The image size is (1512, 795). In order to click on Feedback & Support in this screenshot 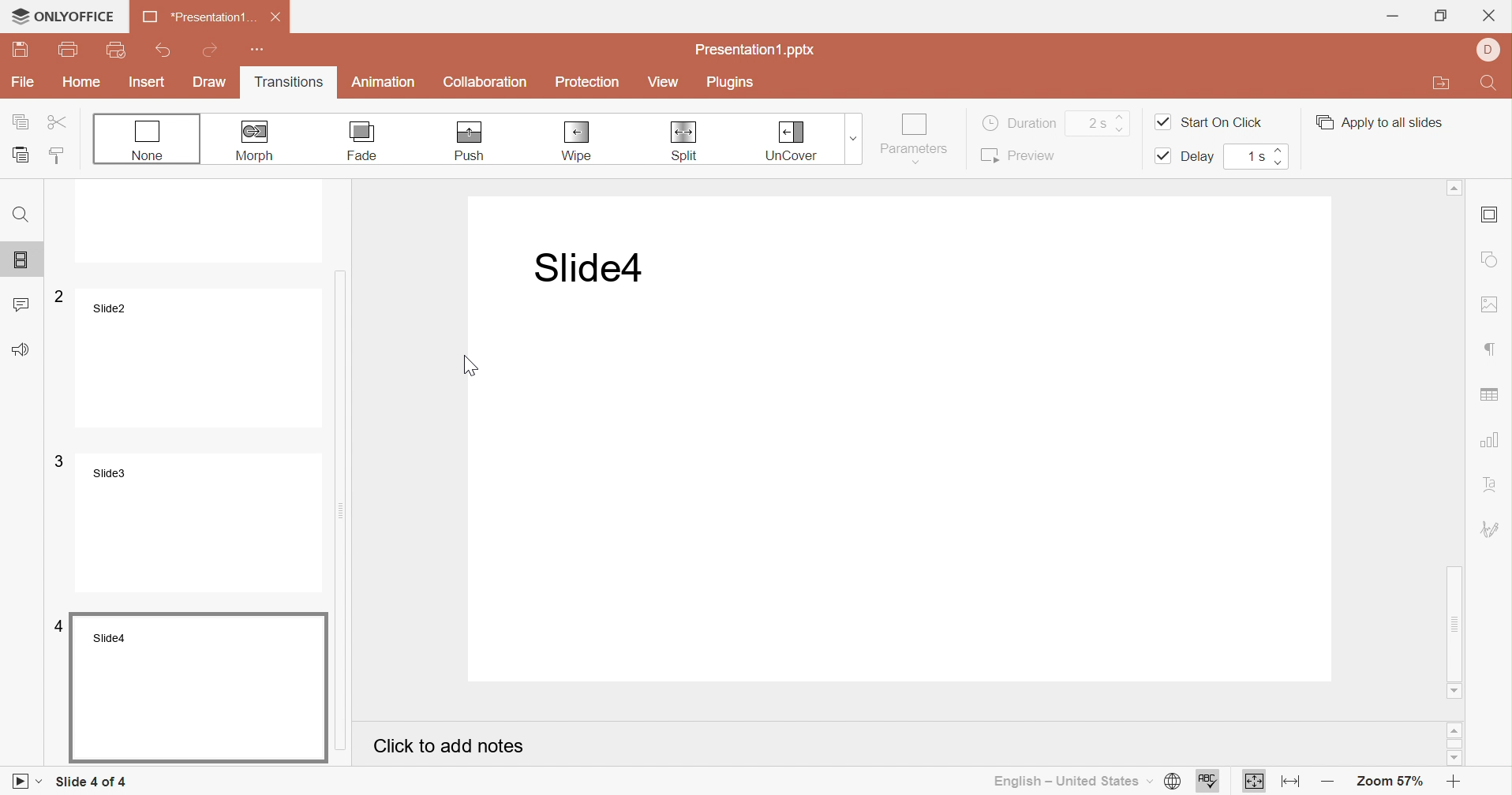, I will do `click(24, 351)`.